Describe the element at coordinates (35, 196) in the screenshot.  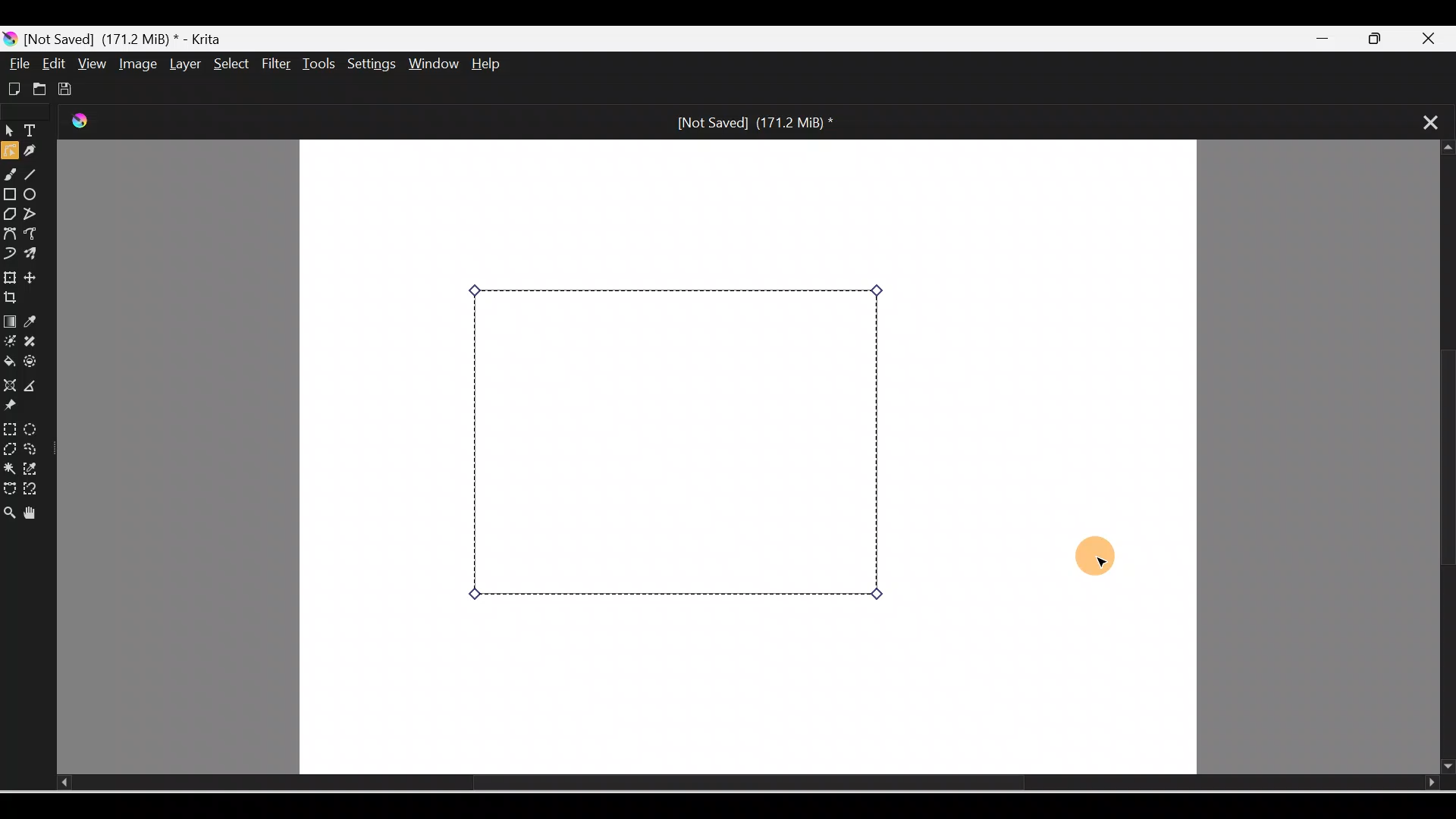
I see `Ellipse` at that location.